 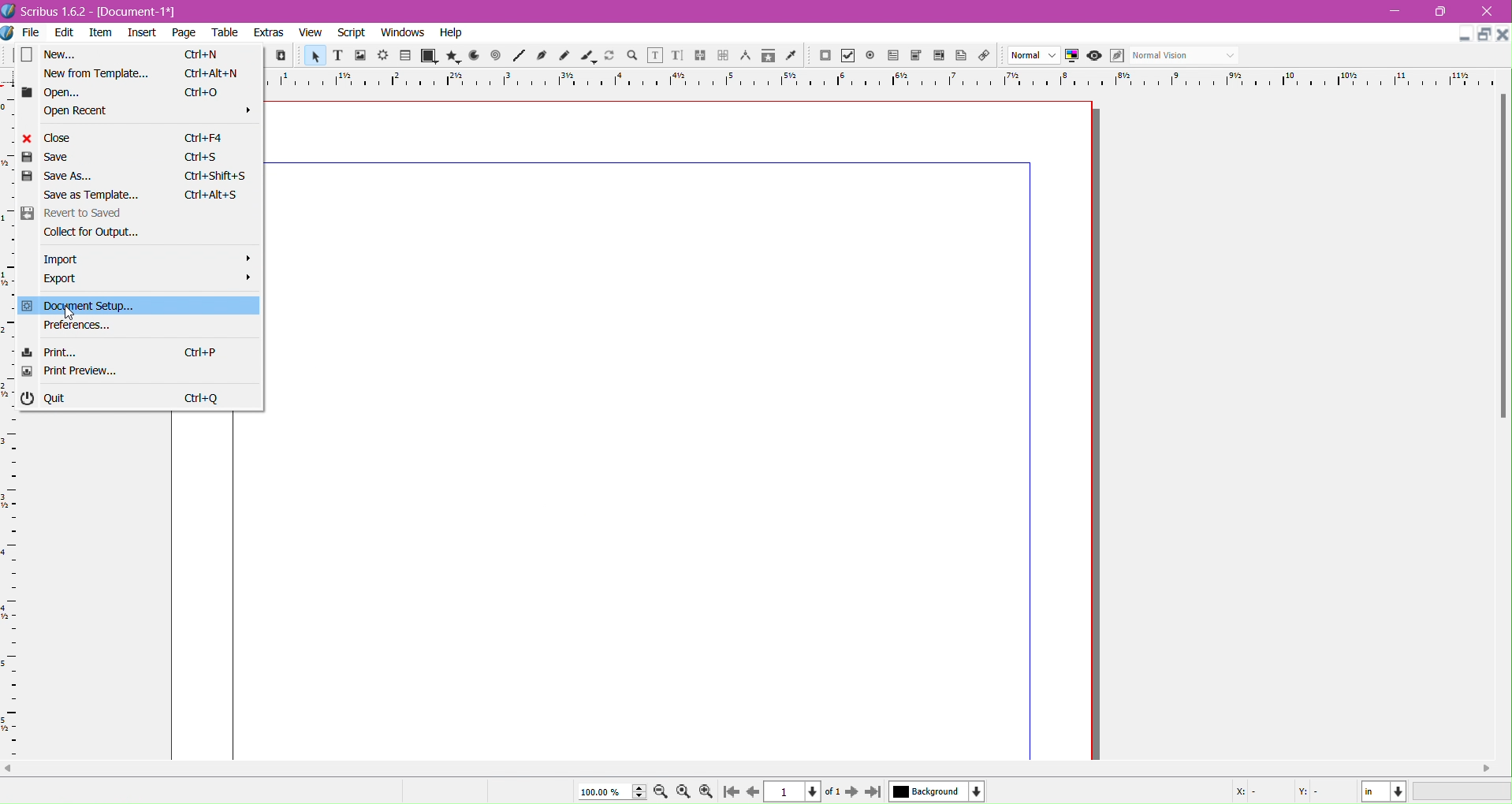 I want to click on pdf push button, so click(x=825, y=56).